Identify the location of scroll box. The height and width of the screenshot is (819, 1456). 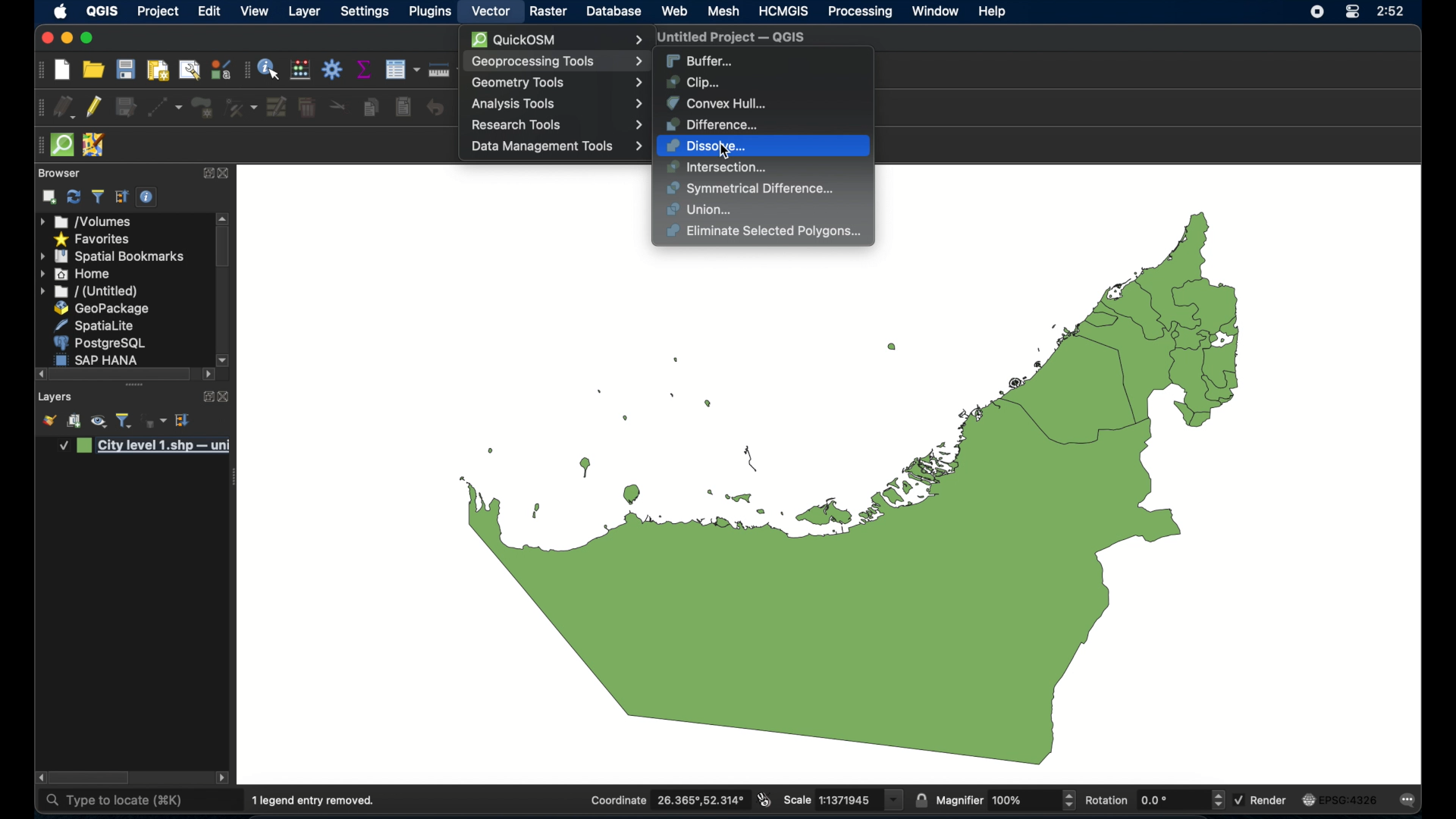
(223, 249).